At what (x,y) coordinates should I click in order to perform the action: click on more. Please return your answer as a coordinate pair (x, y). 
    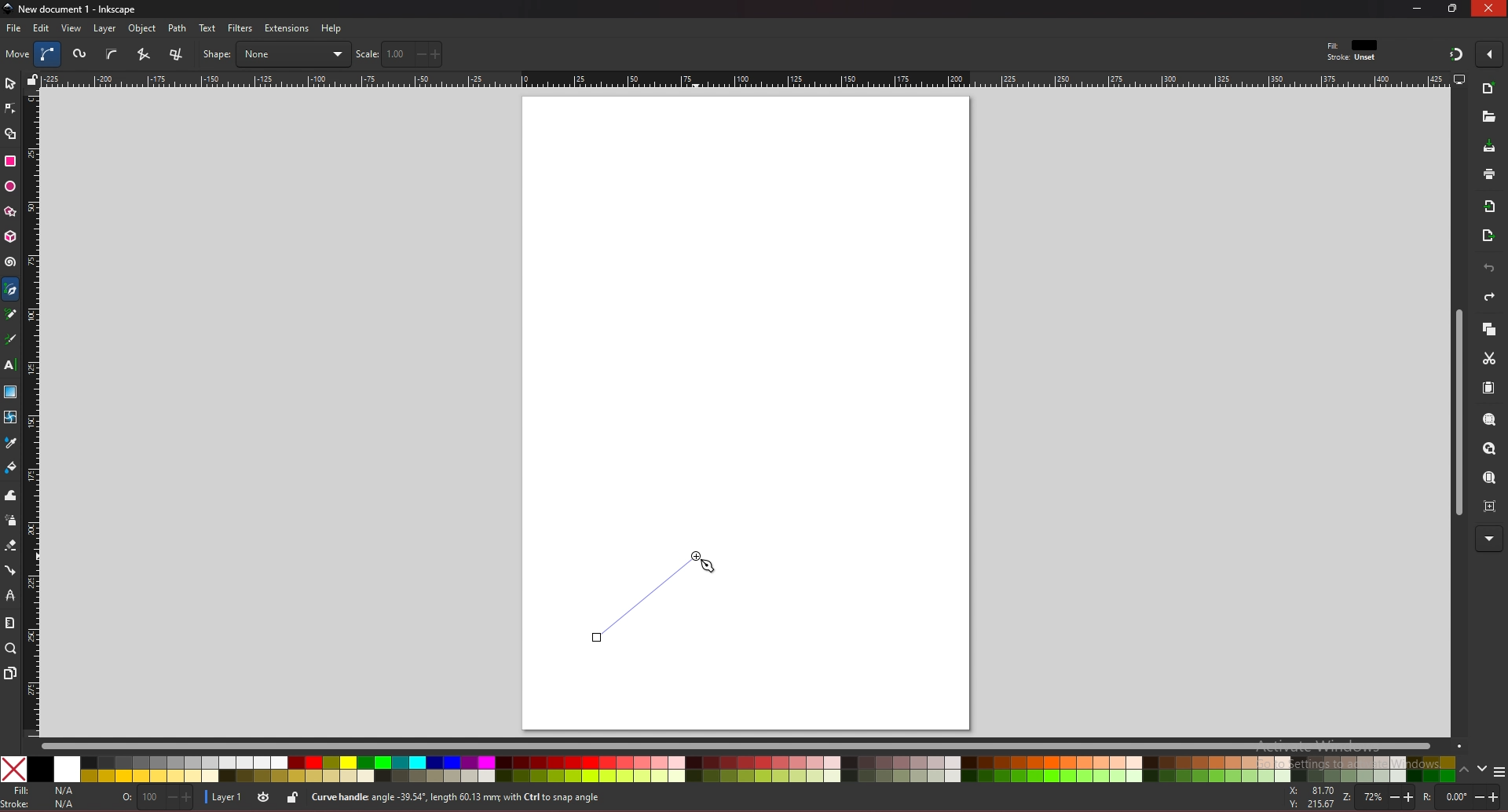
    Looking at the image, I should click on (1489, 540).